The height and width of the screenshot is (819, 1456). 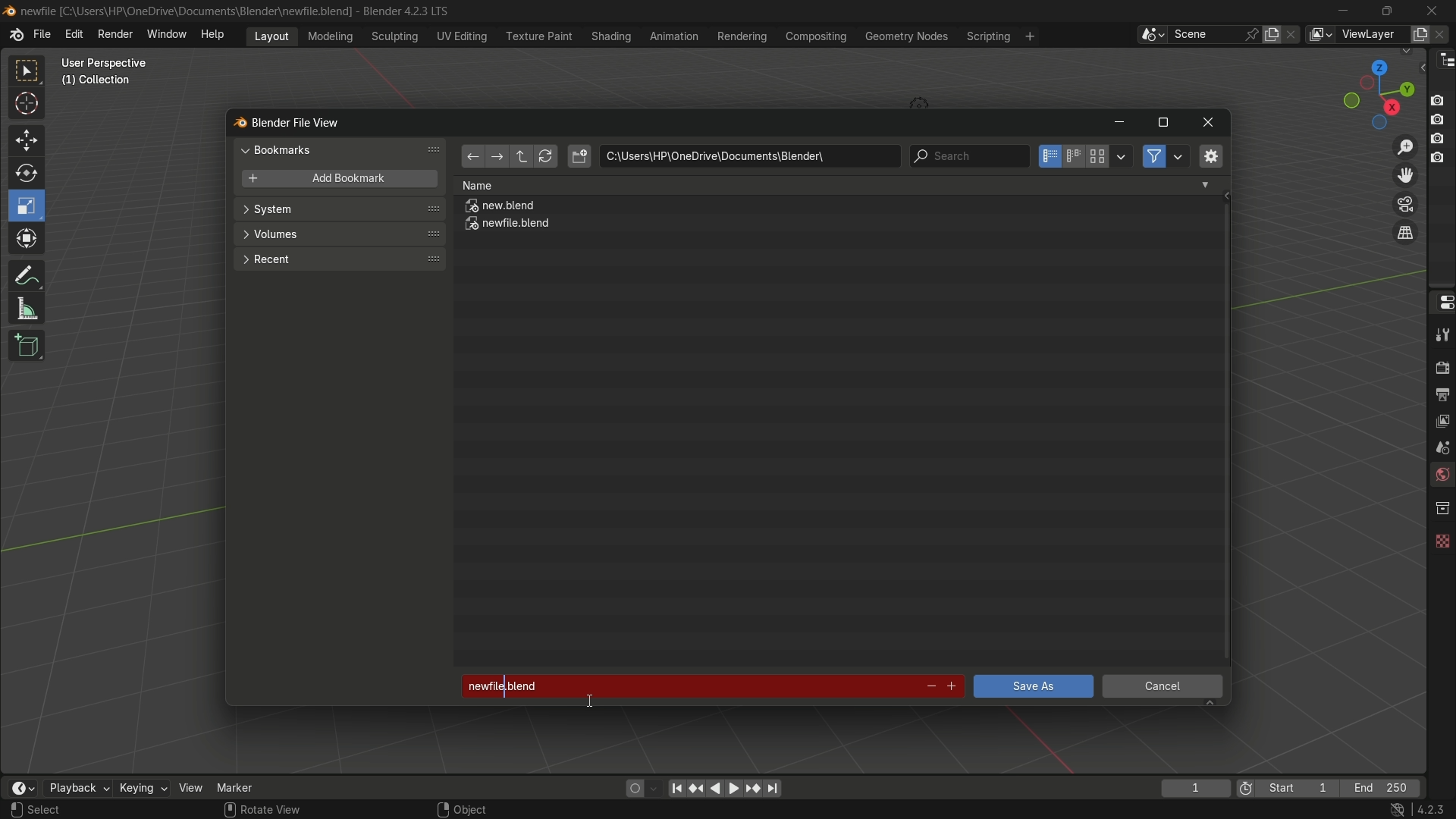 What do you see at coordinates (1098, 157) in the screenshot?
I see `thumbnails display` at bounding box center [1098, 157].